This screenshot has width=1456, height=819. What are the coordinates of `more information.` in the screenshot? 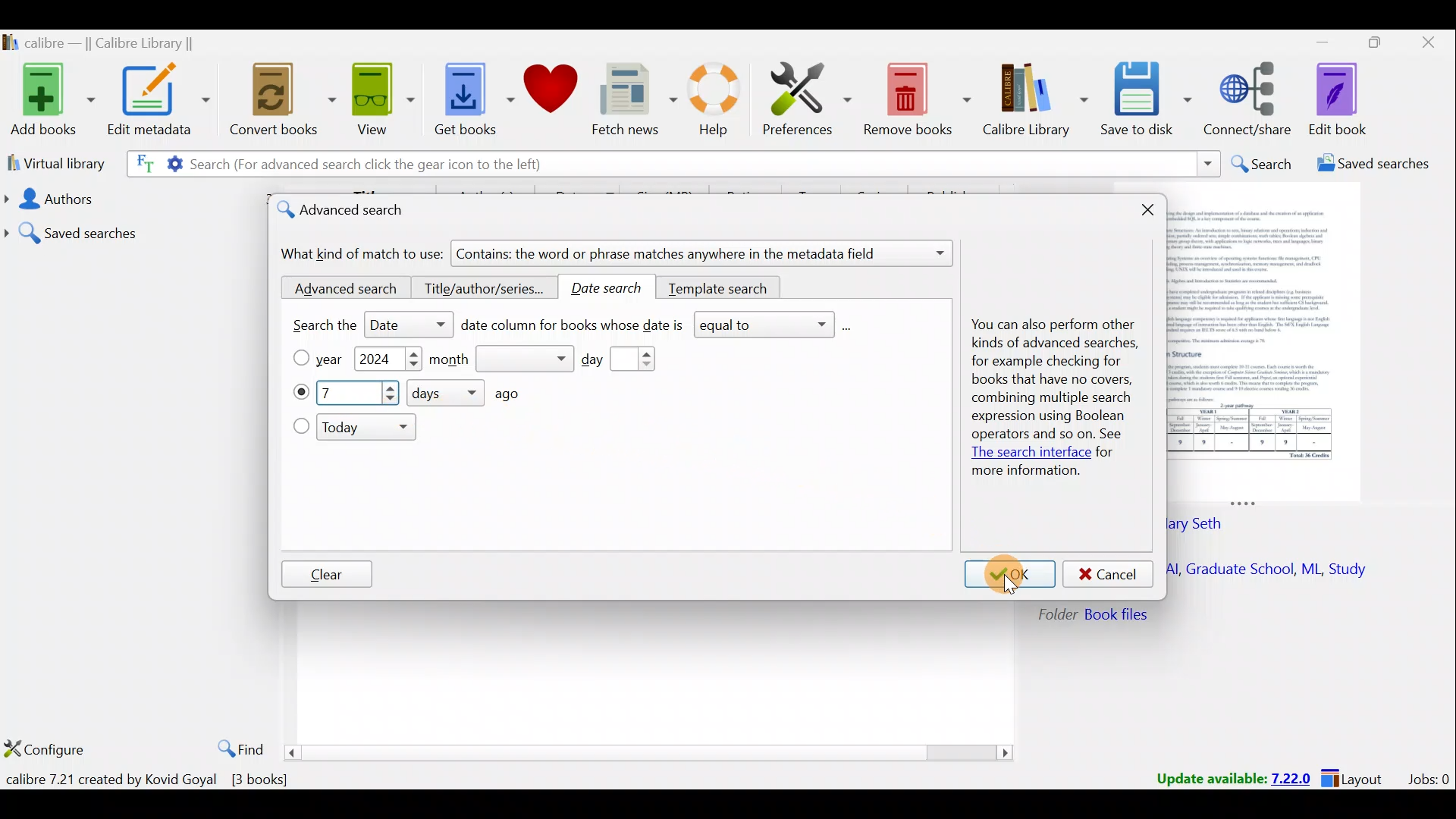 It's located at (1025, 472).